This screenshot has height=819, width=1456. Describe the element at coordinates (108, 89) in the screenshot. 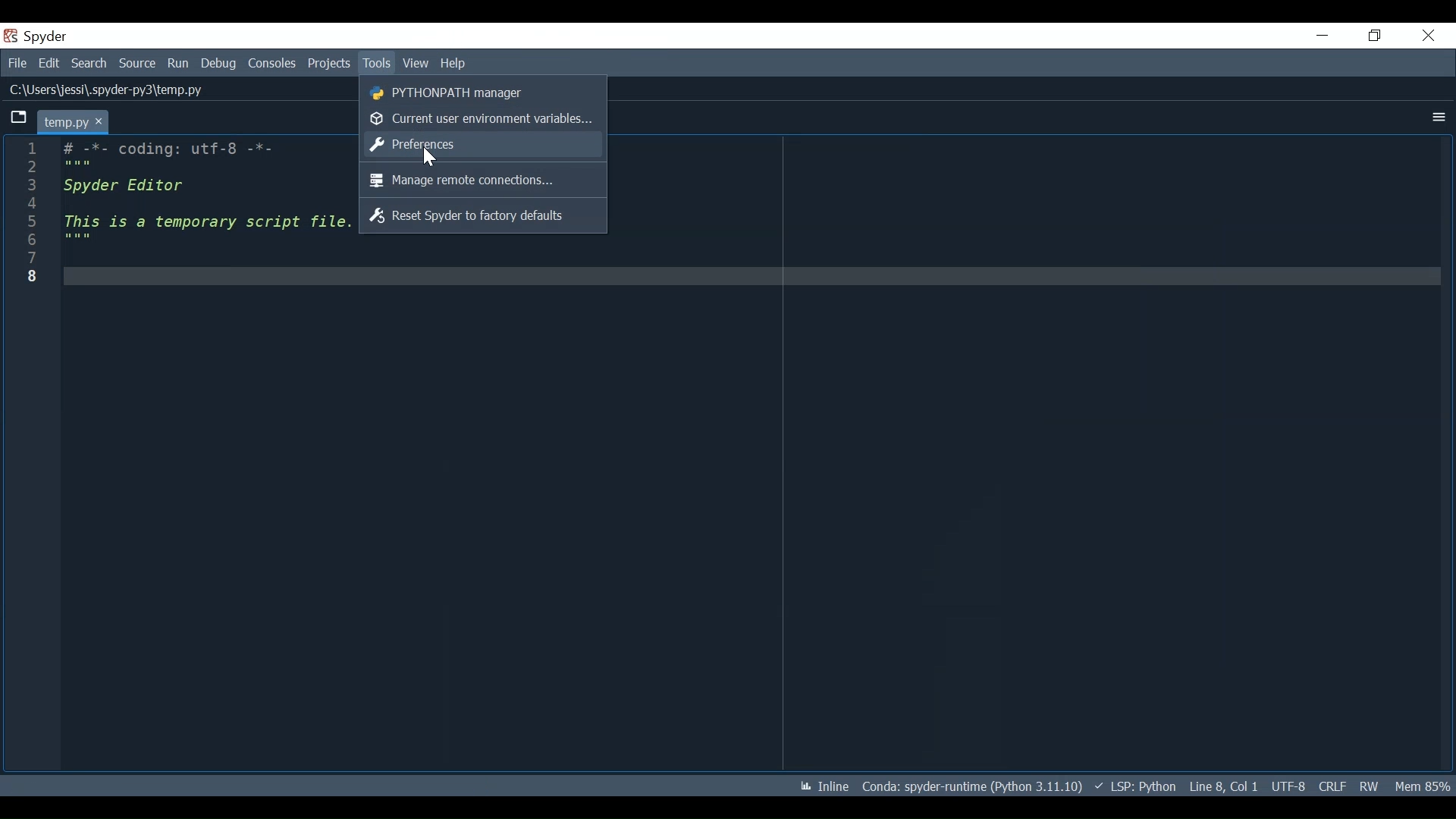

I see `C:\Users\jessi\.spyder-py3\temp.py` at that location.